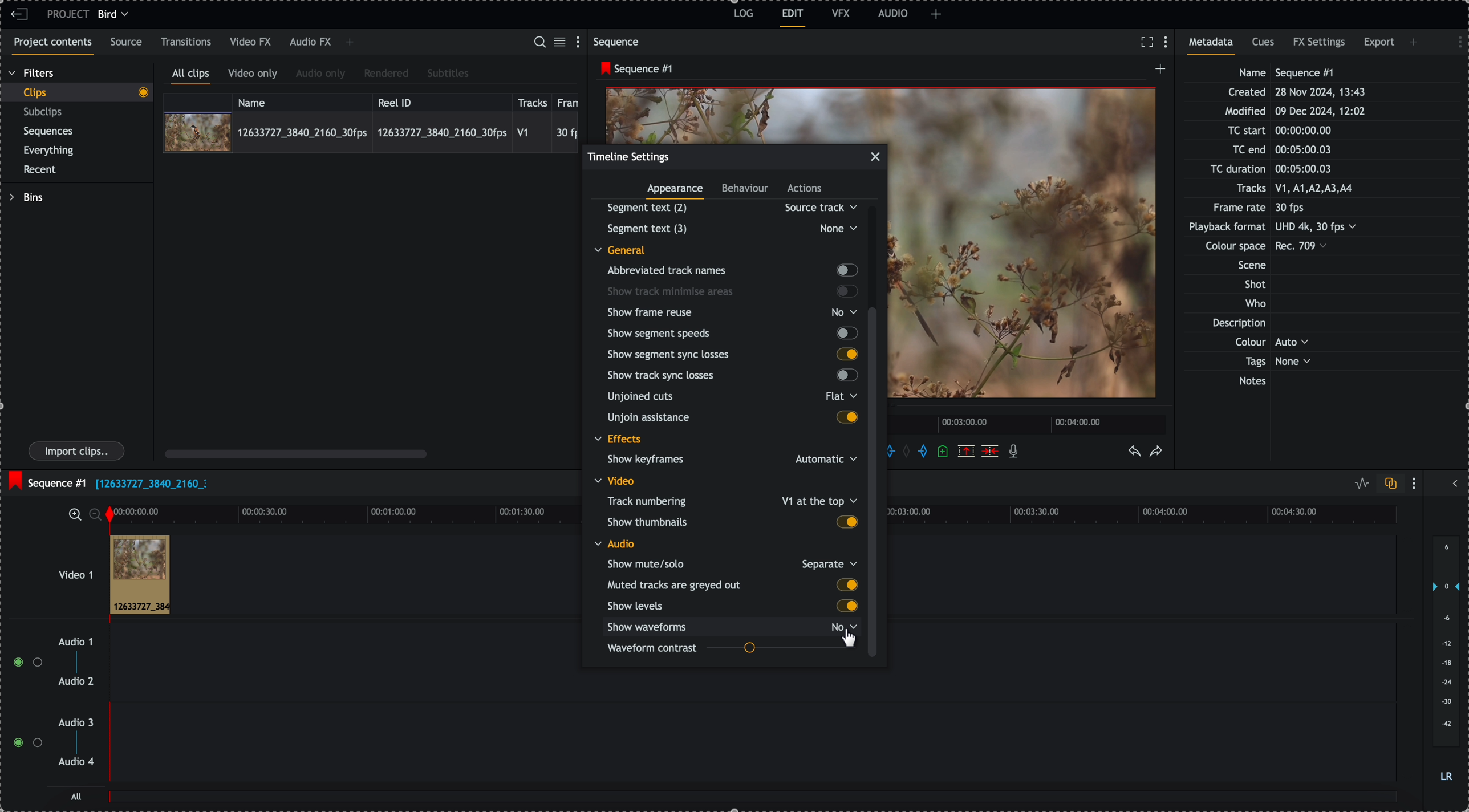 This screenshot has width=1469, height=812. I want to click on AUDIO, so click(893, 13).